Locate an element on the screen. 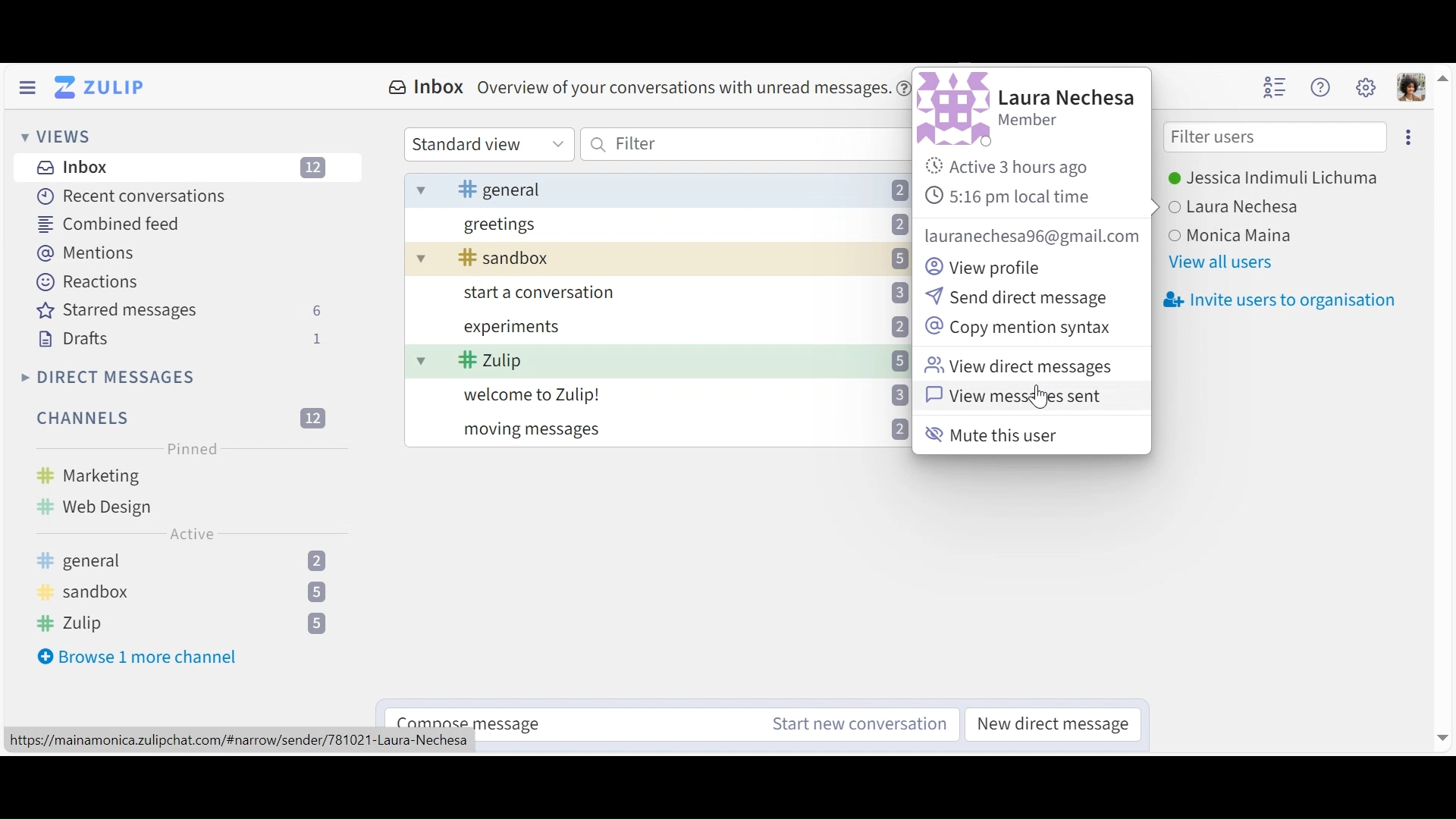  User name is located at coordinates (1065, 98).